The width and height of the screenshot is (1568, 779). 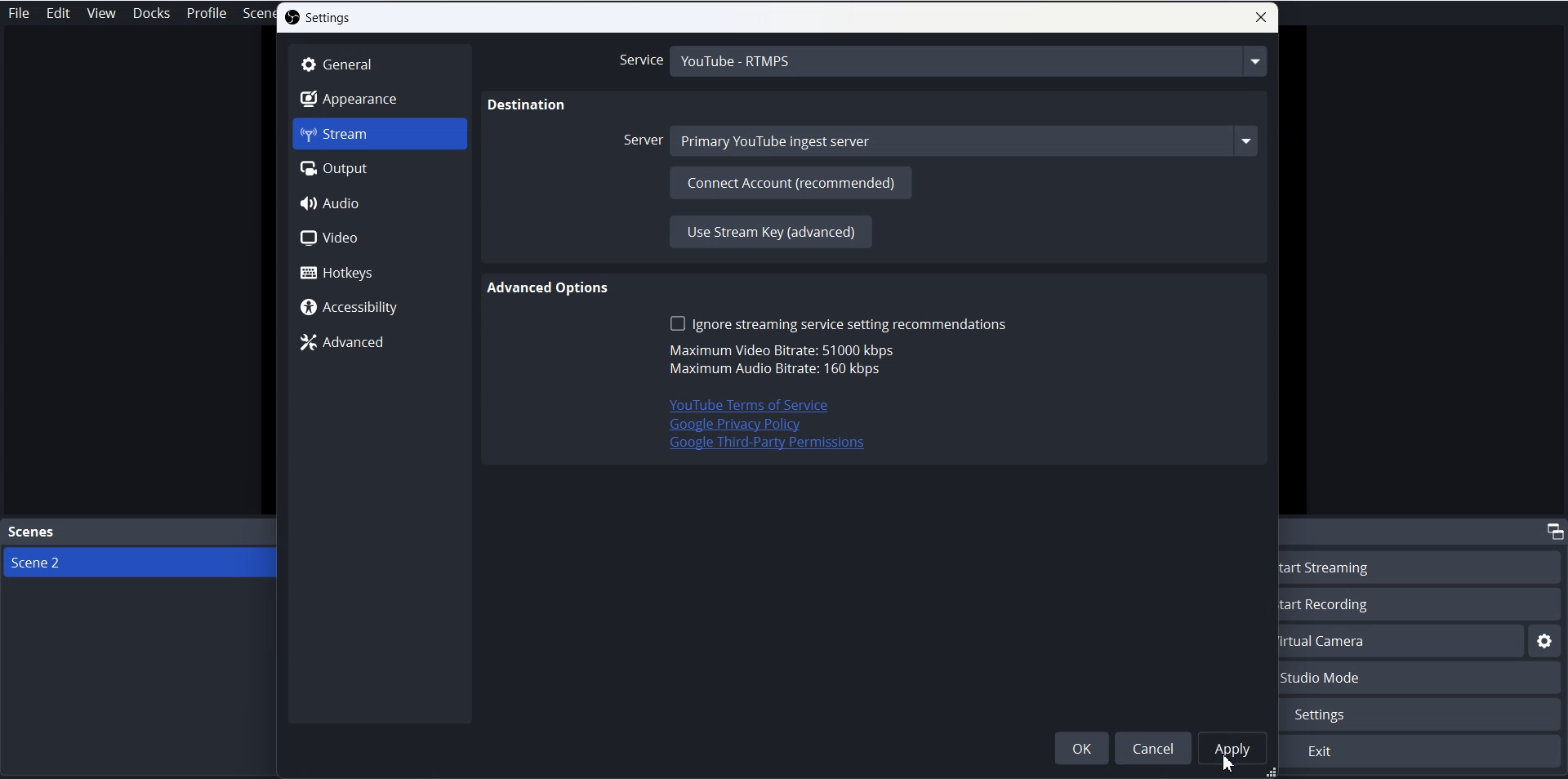 I want to click on Destination, so click(x=528, y=106).